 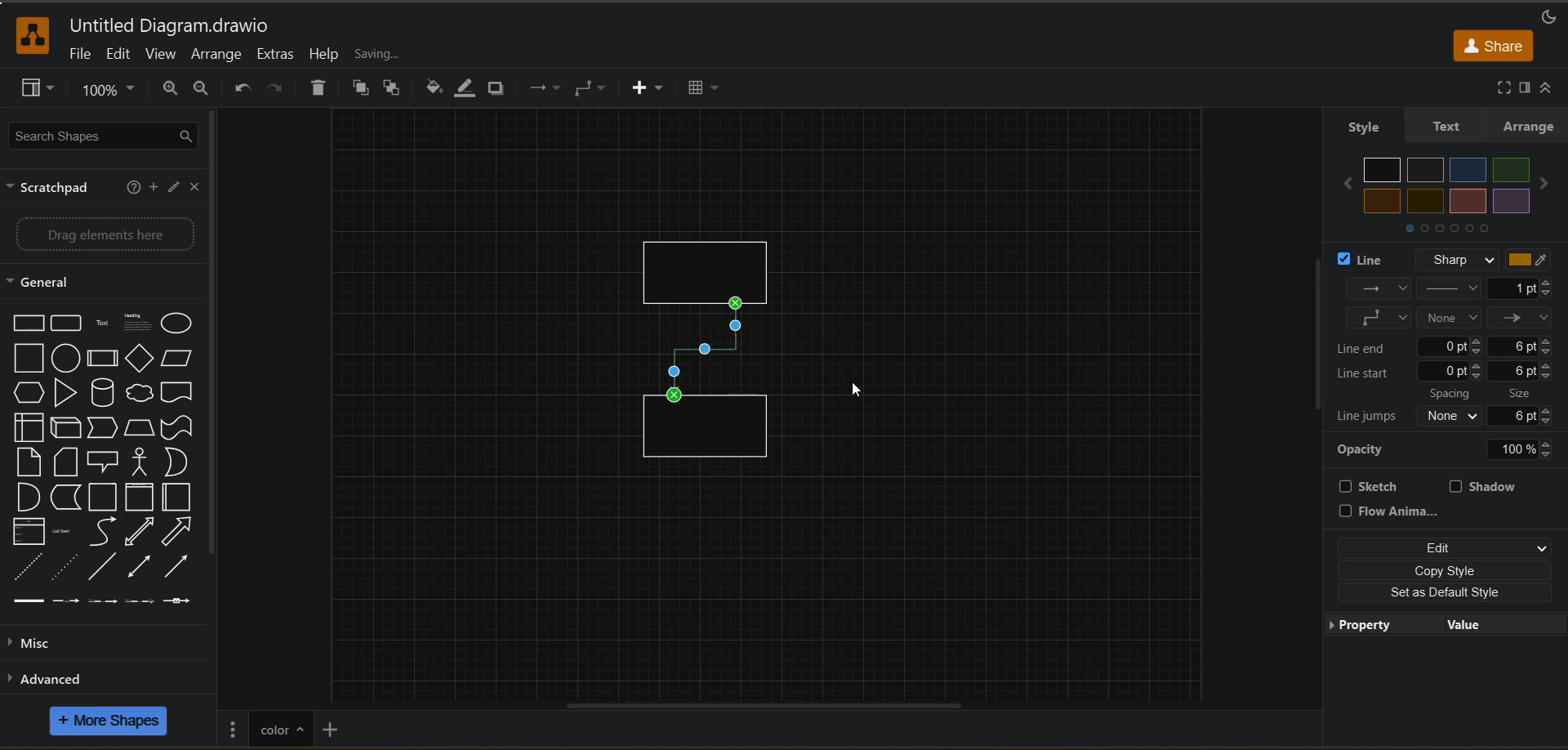 What do you see at coordinates (198, 189) in the screenshot?
I see `close` at bounding box center [198, 189].